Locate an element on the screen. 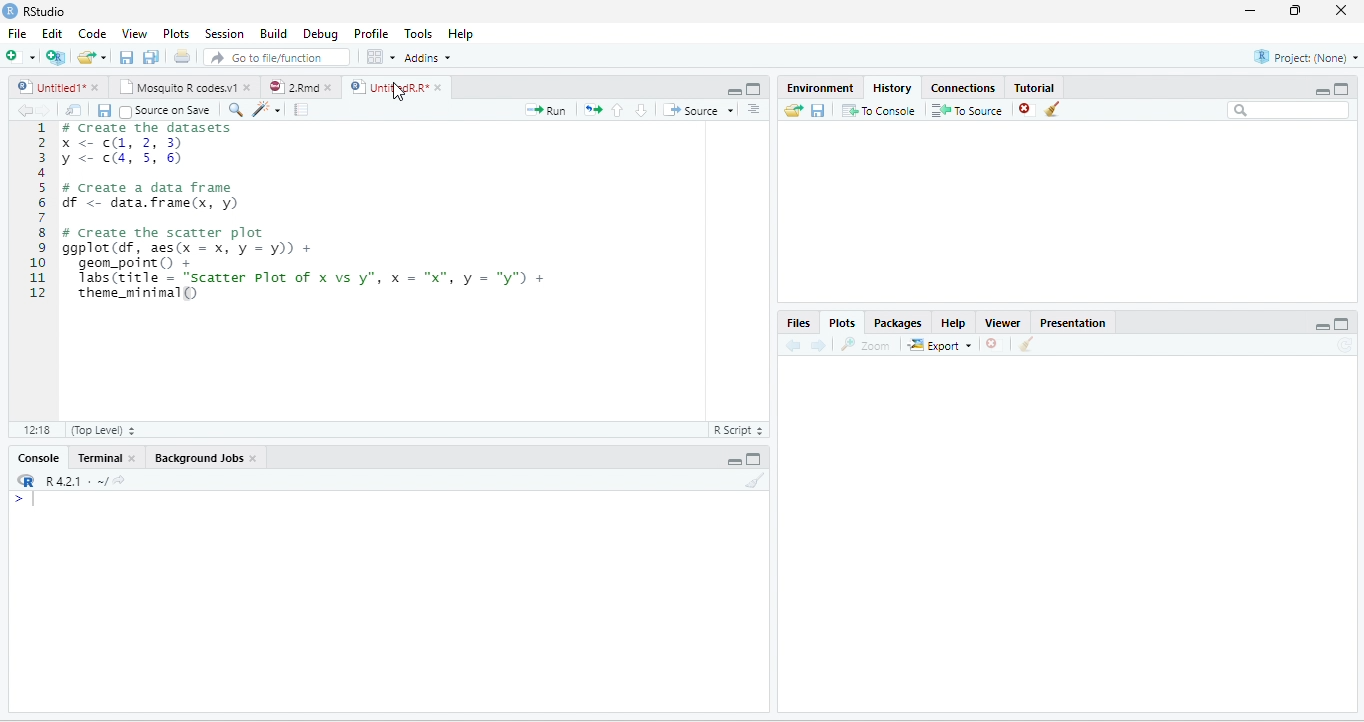 The image size is (1364, 722). Code tools is located at coordinates (268, 110).